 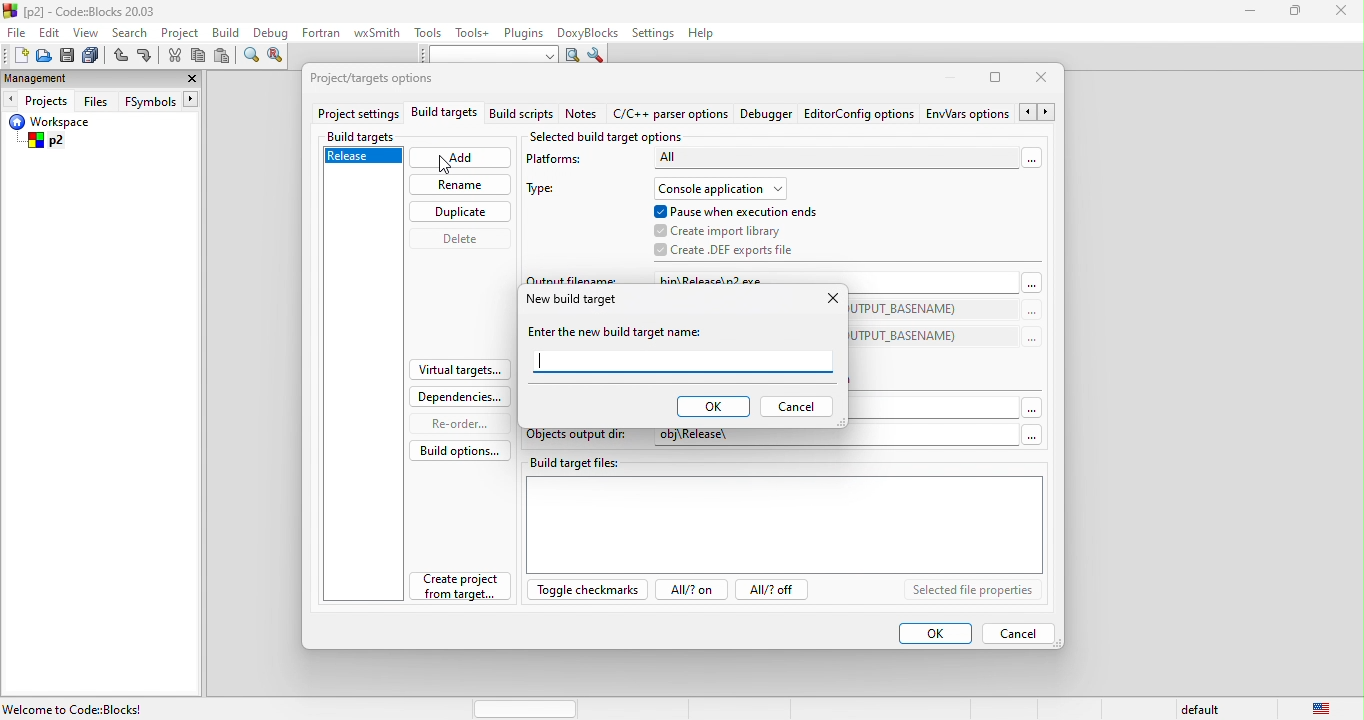 I want to click on minimize, so click(x=950, y=78).